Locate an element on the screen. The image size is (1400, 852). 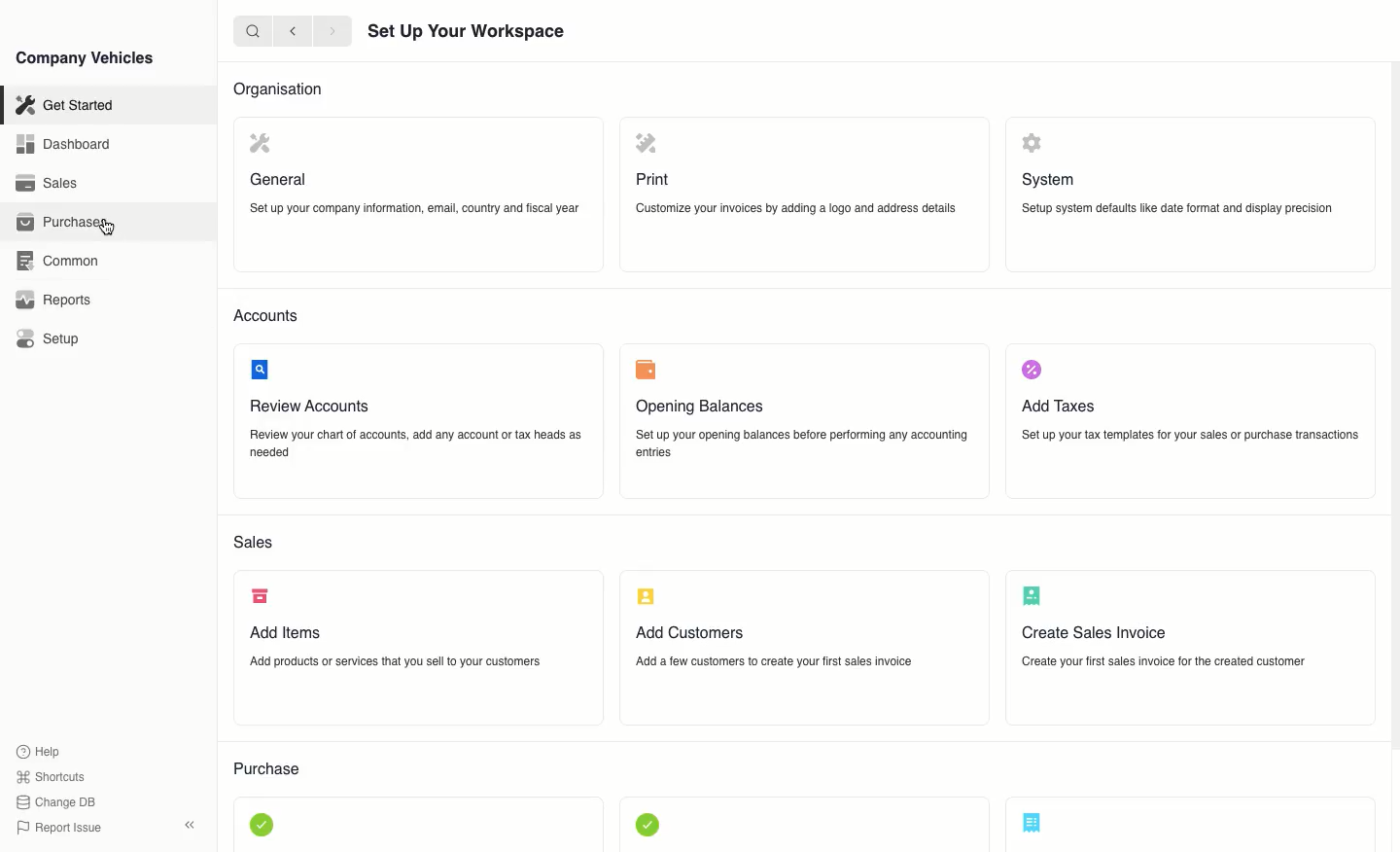
Create your first sales invoice for the created customer is located at coordinates (1164, 661).